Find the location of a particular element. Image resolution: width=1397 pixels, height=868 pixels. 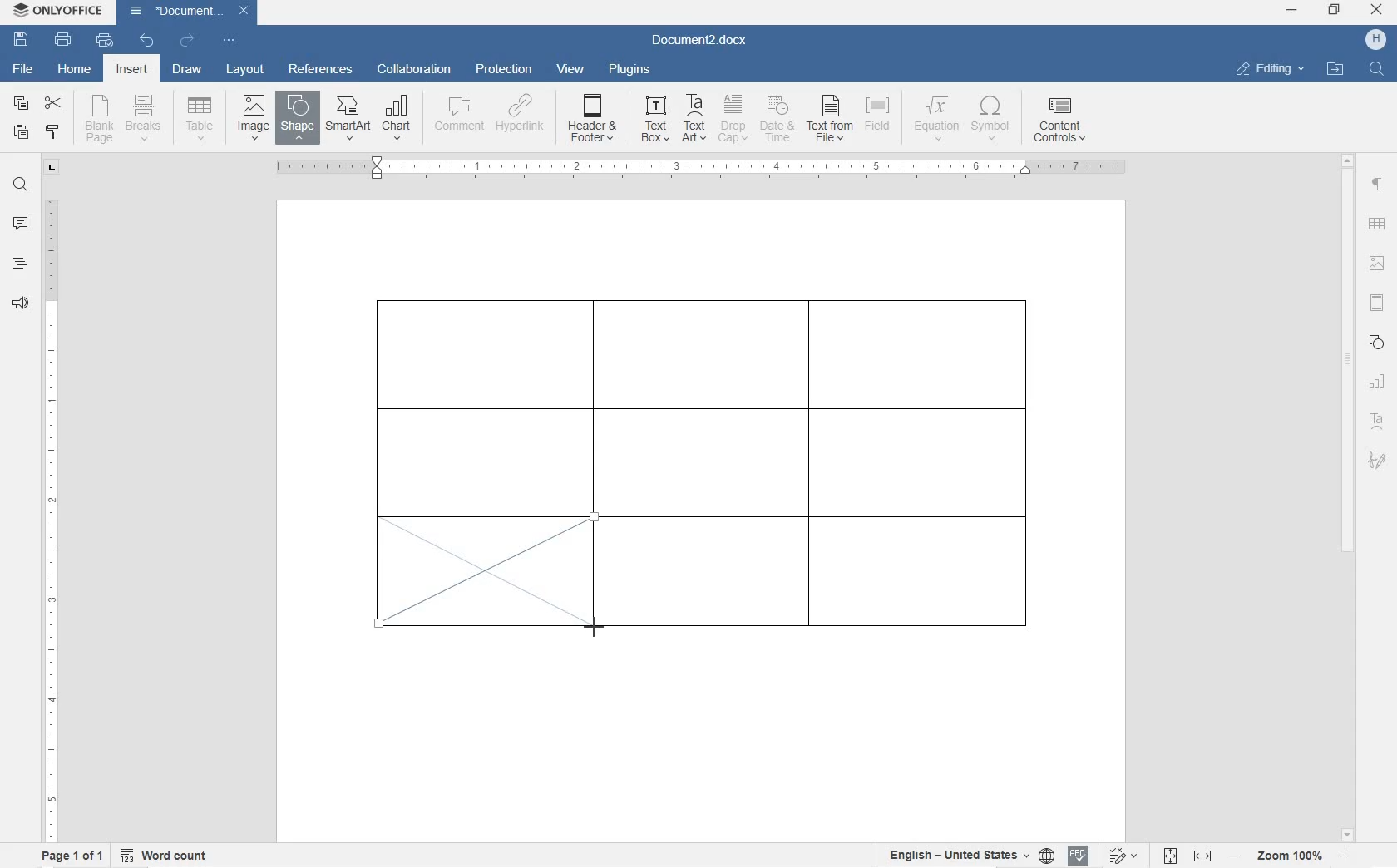

signature is located at coordinates (1376, 460).